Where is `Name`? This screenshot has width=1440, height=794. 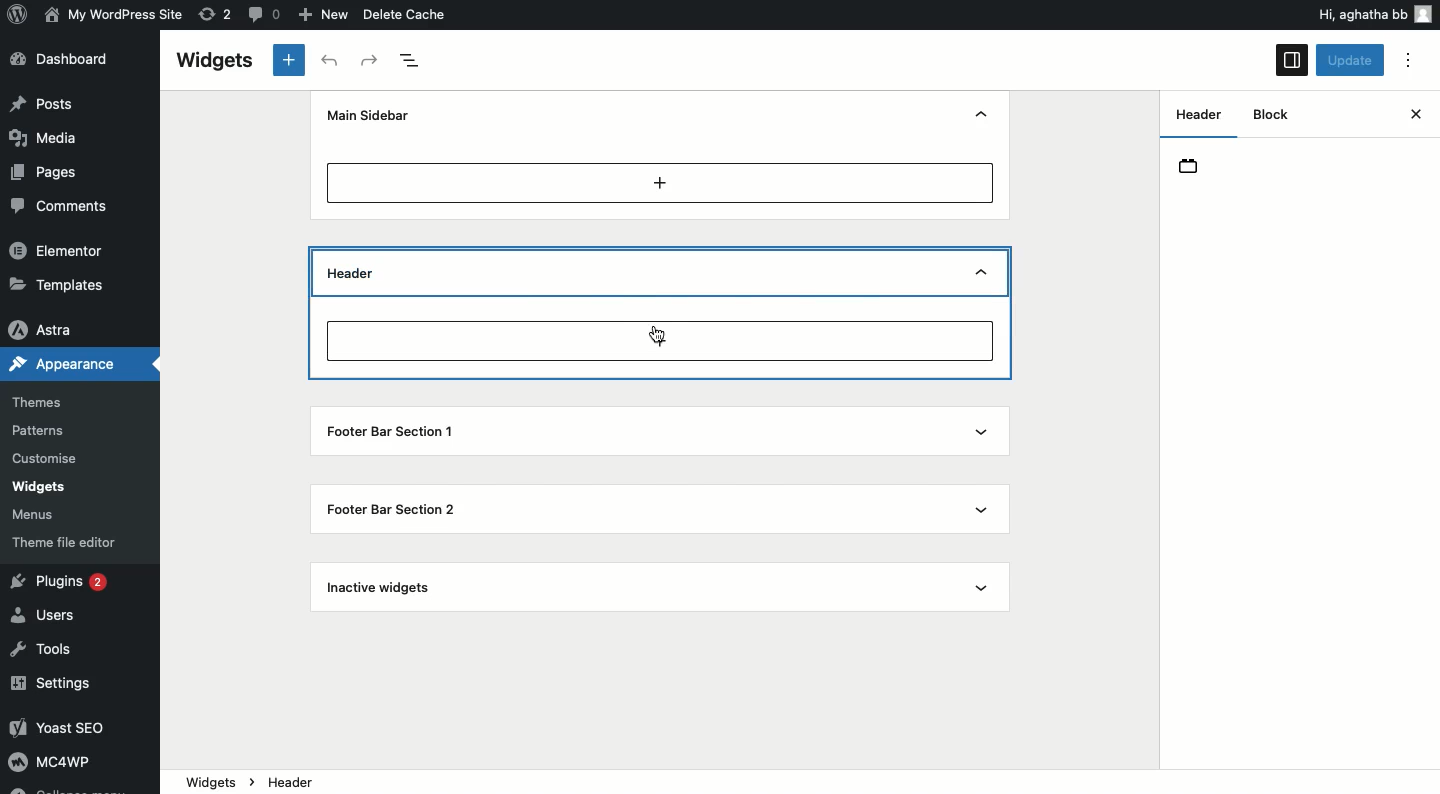 Name is located at coordinates (116, 13).